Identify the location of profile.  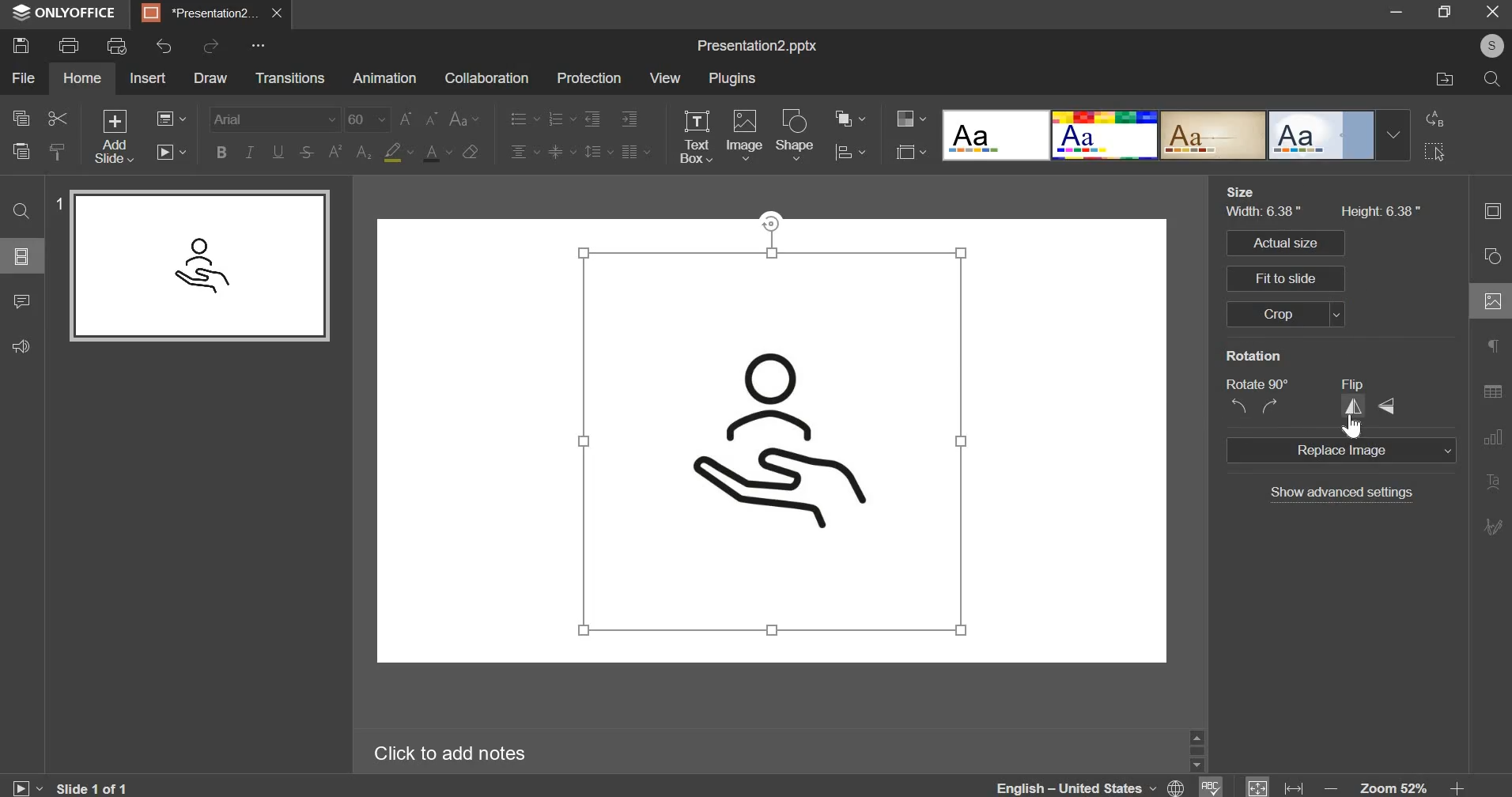
(1492, 46).